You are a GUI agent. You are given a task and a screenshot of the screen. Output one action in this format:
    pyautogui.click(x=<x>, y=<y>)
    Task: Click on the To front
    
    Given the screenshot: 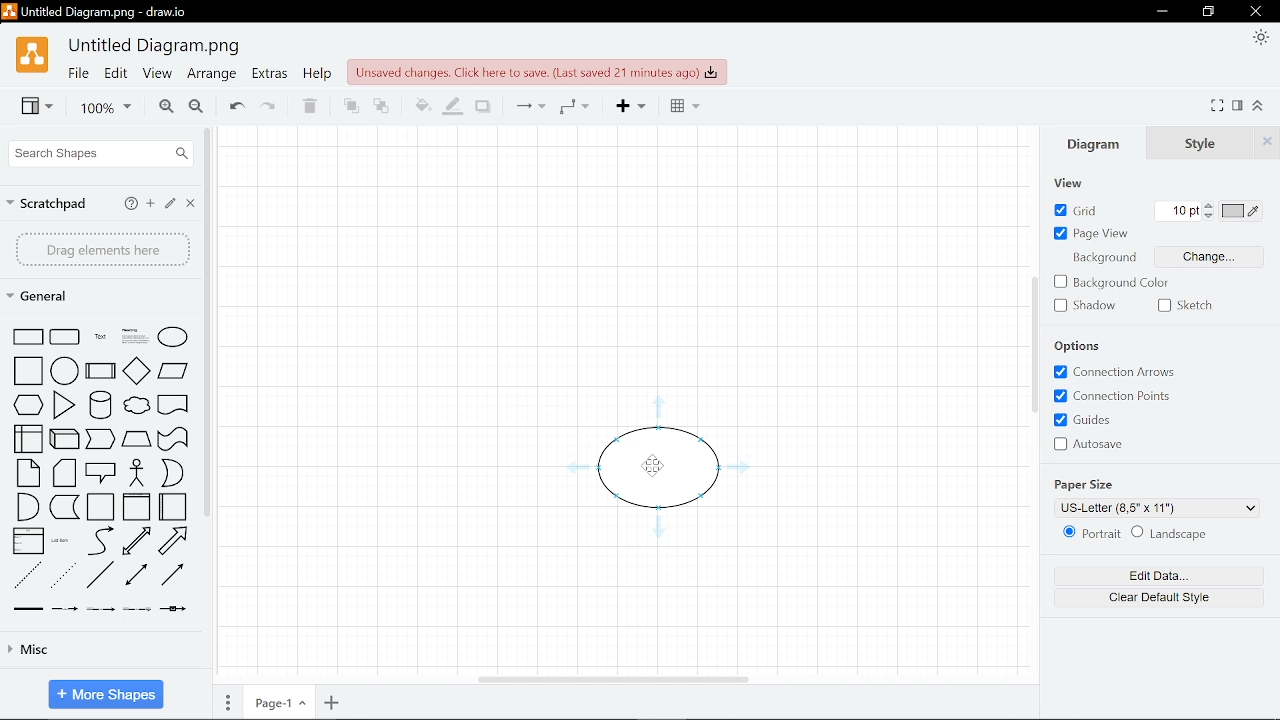 What is the action you would take?
    pyautogui.click(x=348, y=104)
    